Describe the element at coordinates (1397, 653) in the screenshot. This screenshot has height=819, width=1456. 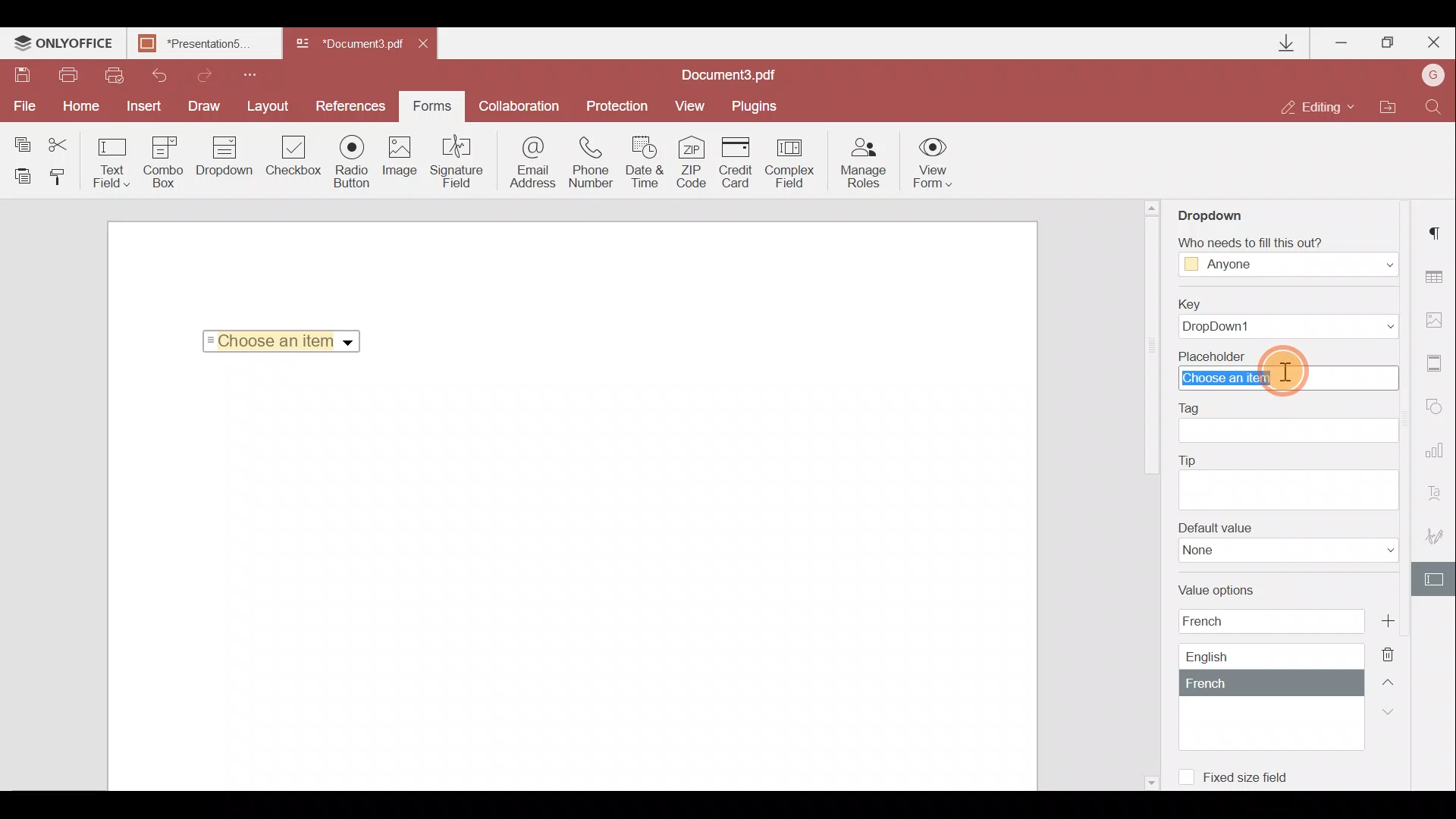
I see `Delete` at that location.